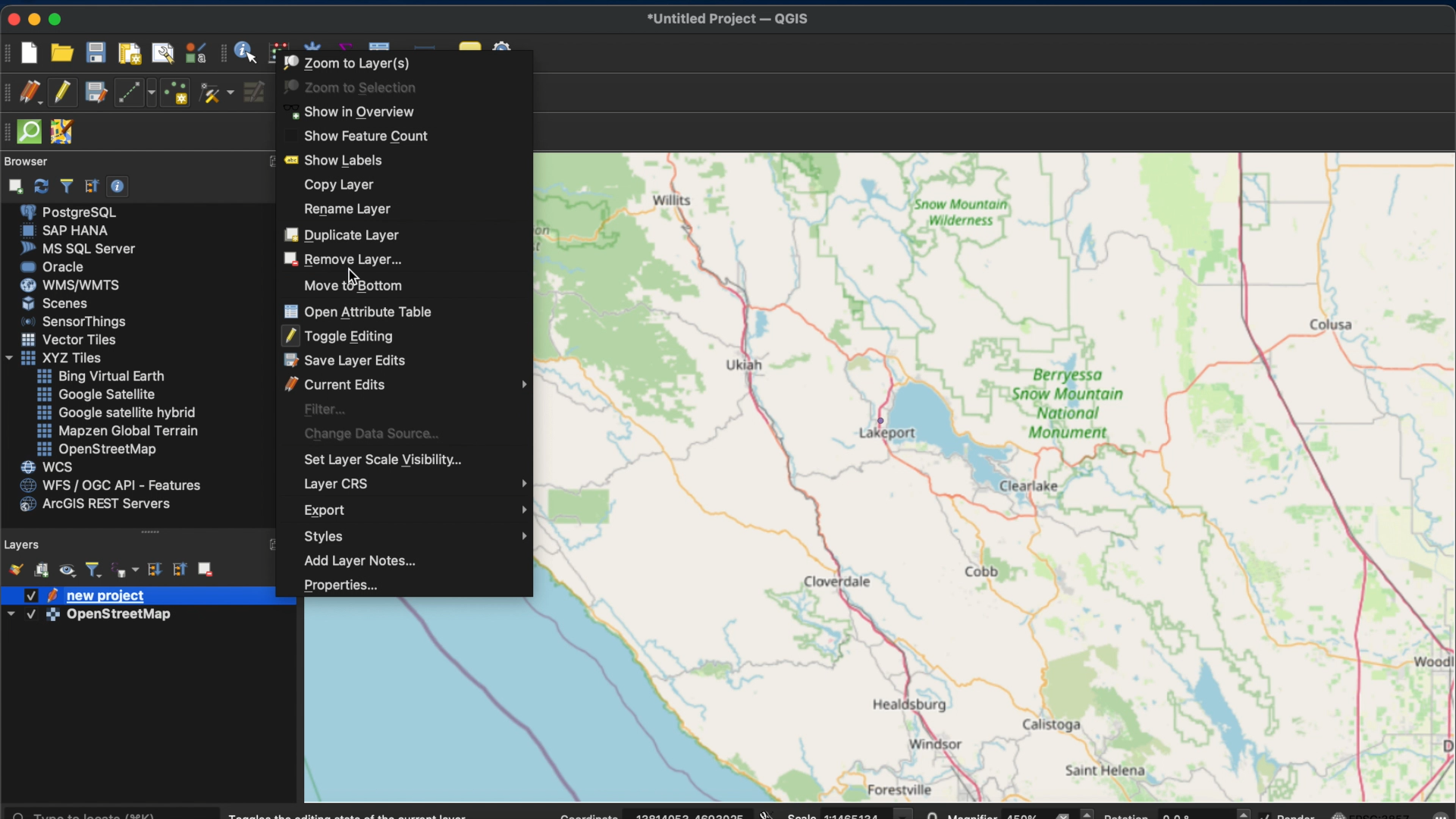 This screenshot has width=1456, height=819. Describe the element at coordinates (92, 186) in the screenshot. I see `collapse all` at that location.